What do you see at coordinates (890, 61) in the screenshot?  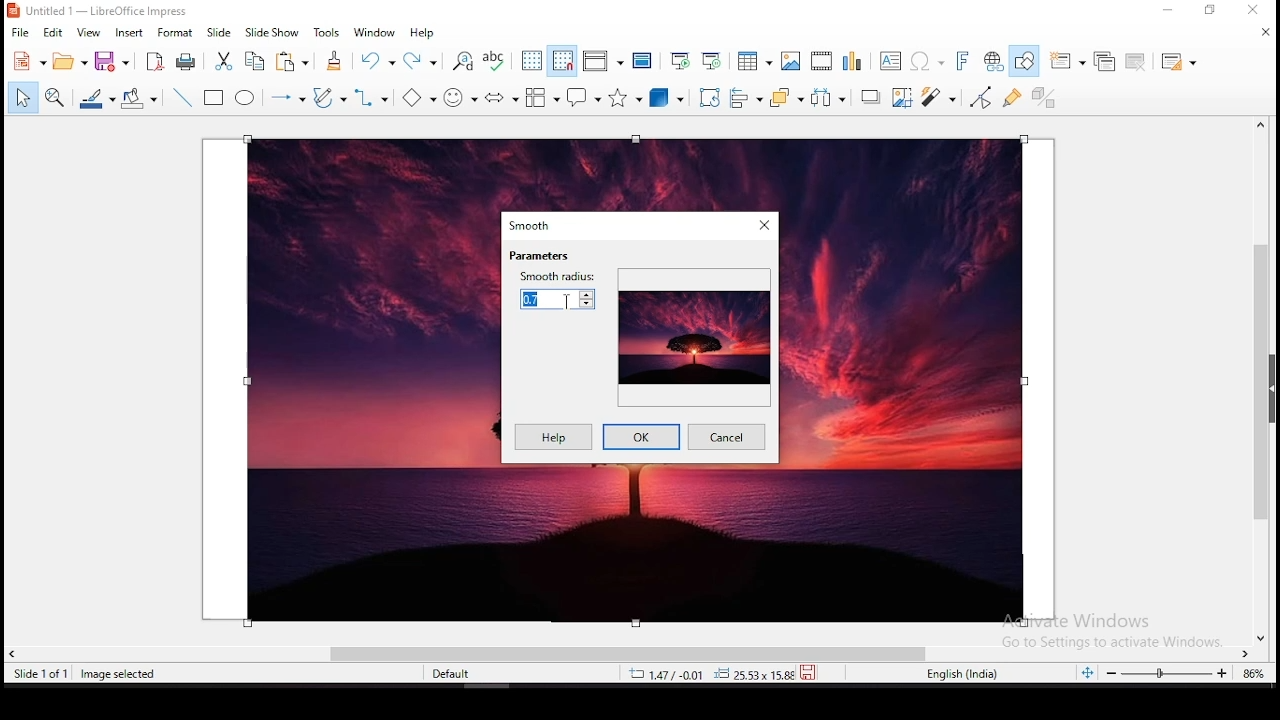 I see `text box` at bounding box center [890, 61].